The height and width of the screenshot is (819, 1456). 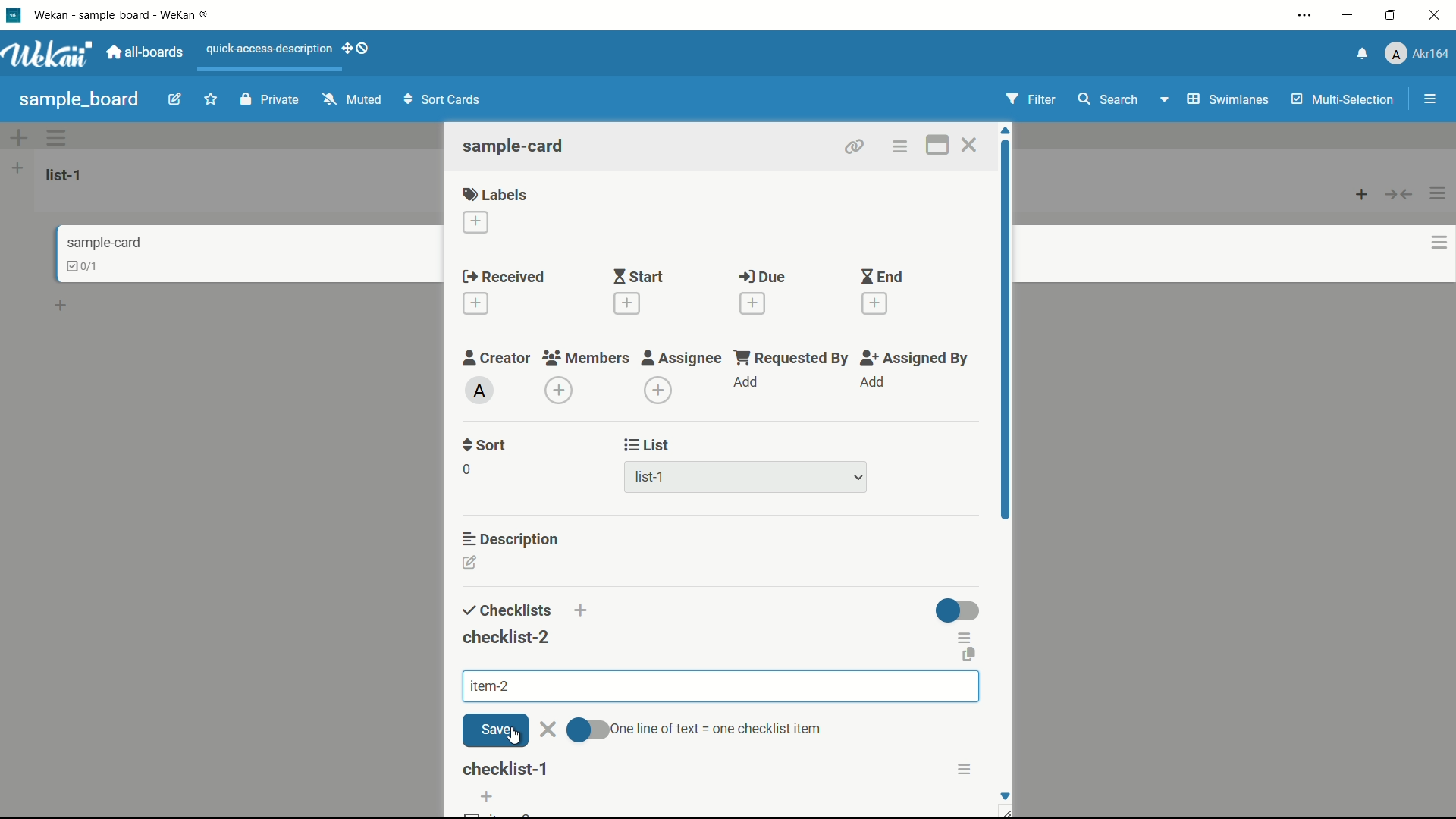 I want to click on add card bottom, so click(x=67, y=306).